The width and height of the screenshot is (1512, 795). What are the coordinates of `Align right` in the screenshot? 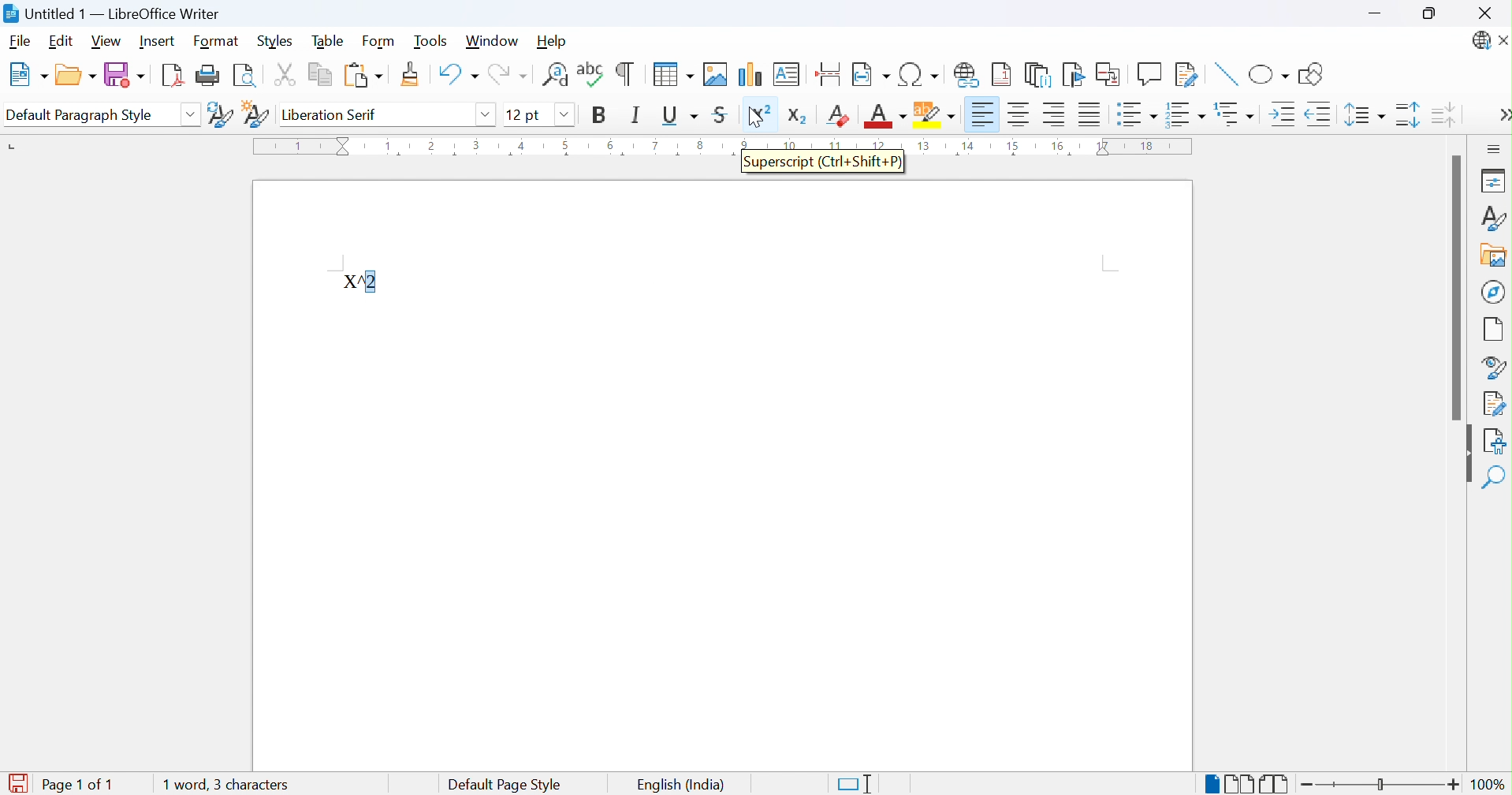 It's located at (1056, 117).